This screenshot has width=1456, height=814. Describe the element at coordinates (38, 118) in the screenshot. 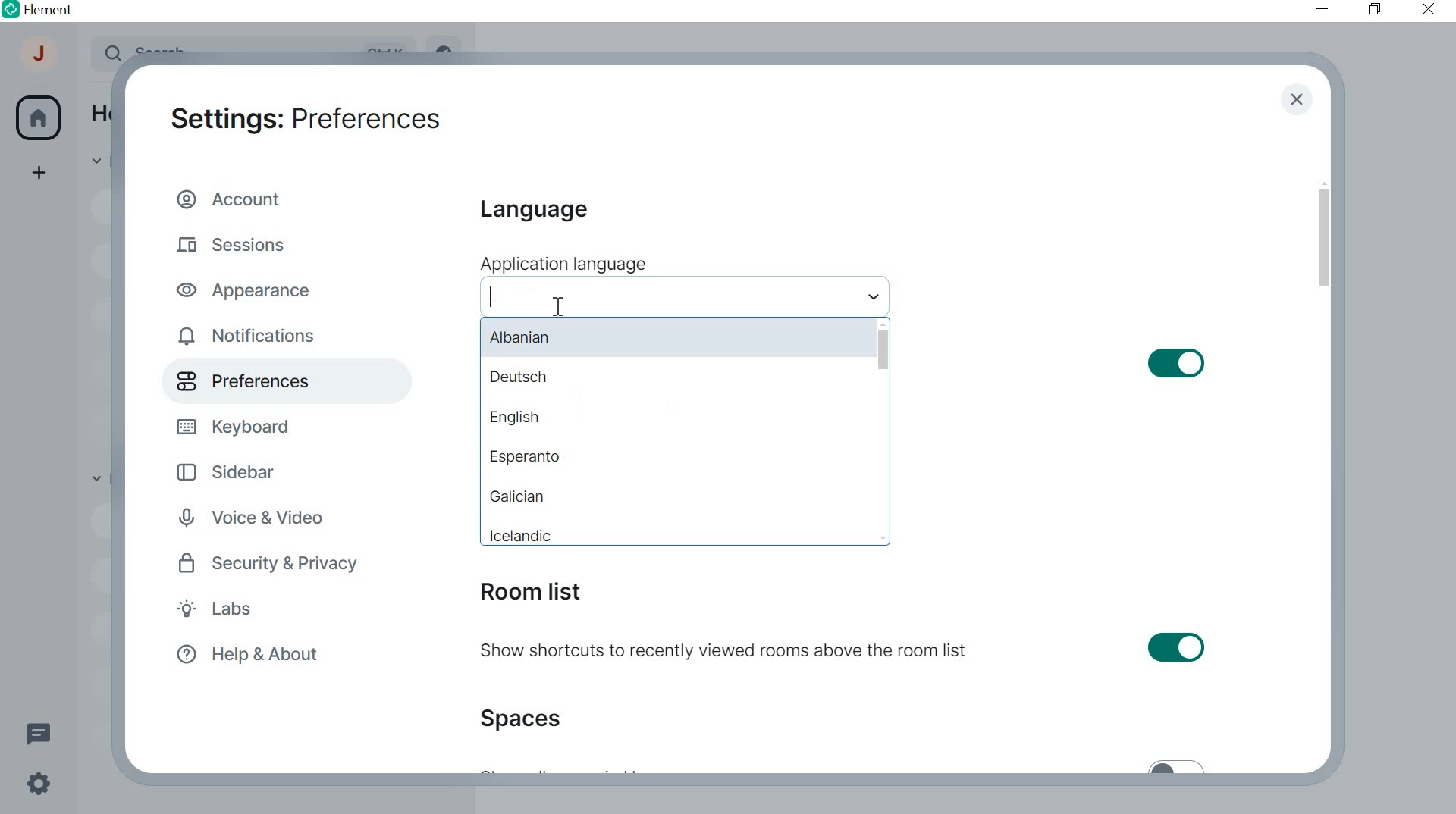

I see `home` at that location.